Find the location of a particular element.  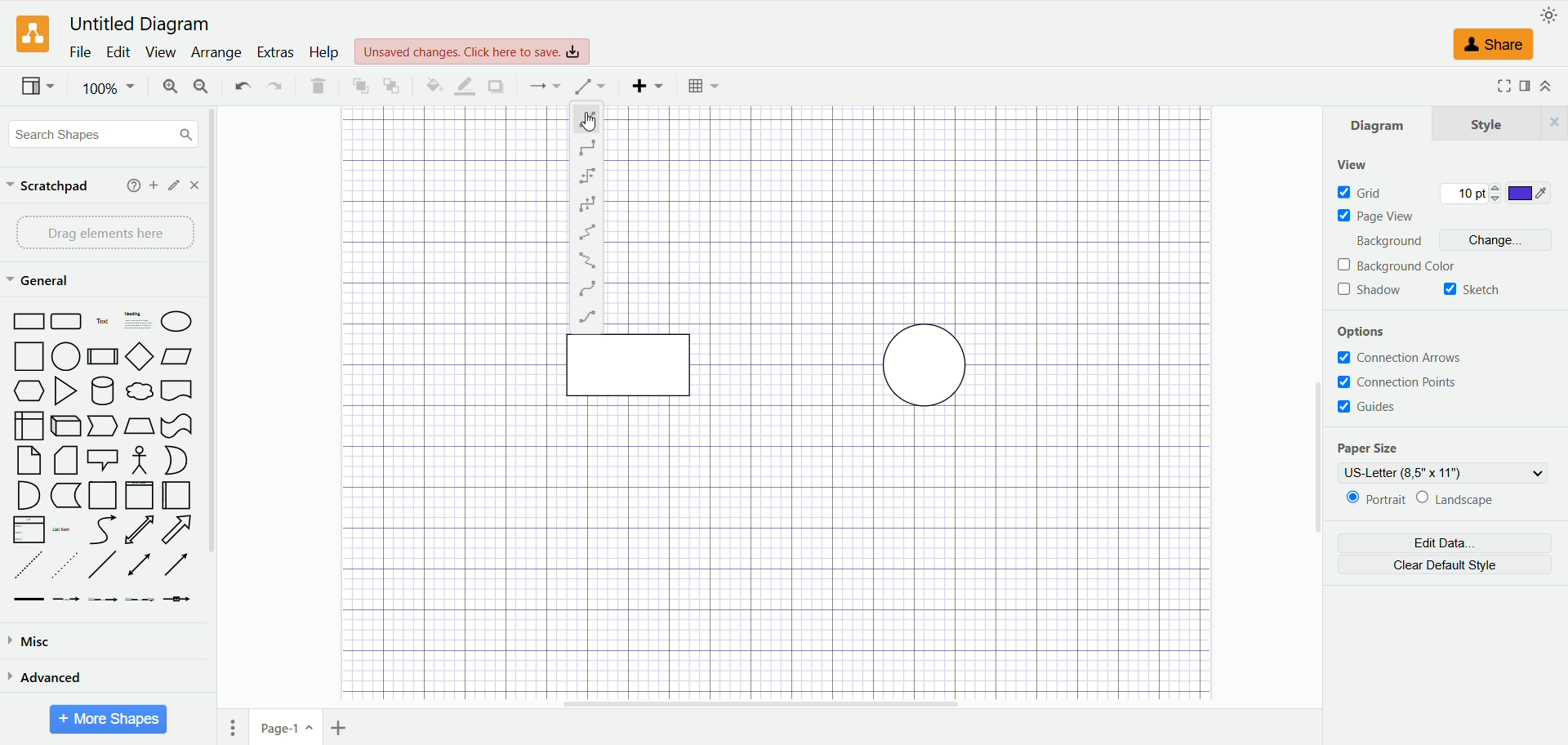

Simple Waypoint is located at coordinates (588, 176).